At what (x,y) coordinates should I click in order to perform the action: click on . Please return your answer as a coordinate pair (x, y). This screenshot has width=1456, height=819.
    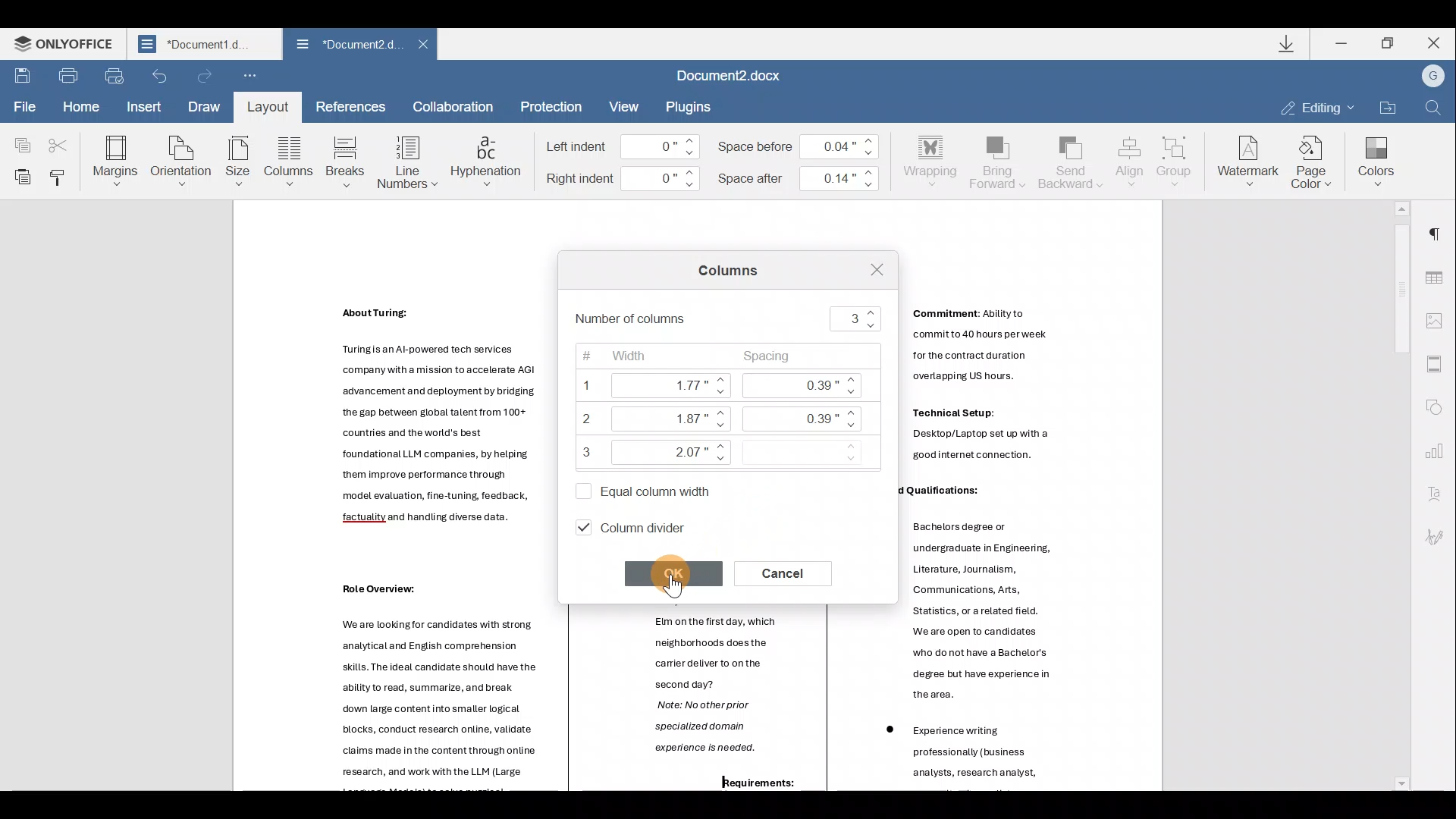
    Looking at the image, I should click on (986, 607).